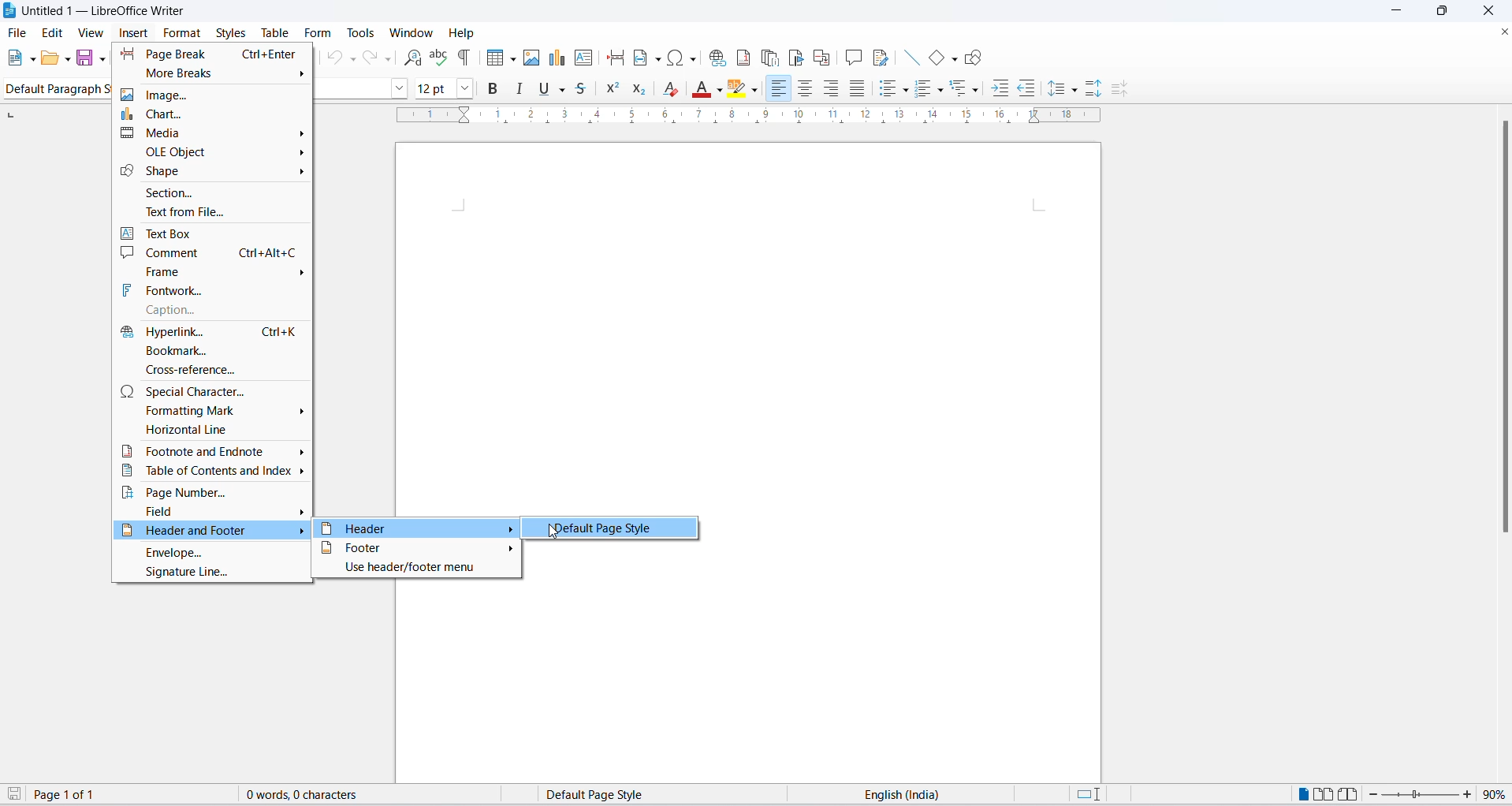 This screenshot has width=1512, height=806. Describe the element at coordinates (557, 61) in the screenshot. I see `insert chat` at that location.